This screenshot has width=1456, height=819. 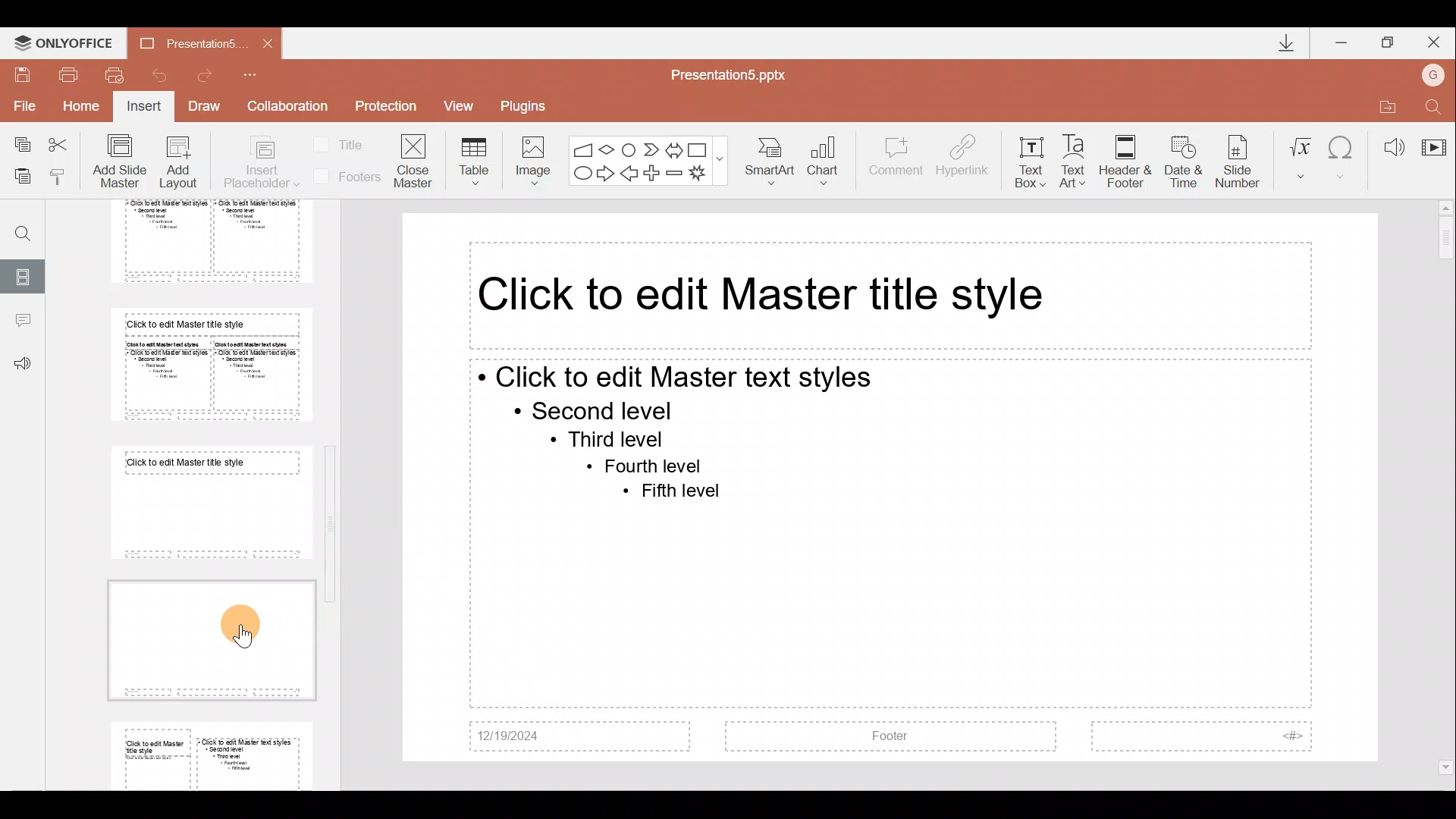 What do you see at coordinates (17, 144) in the screenshot?
I see `Copy` at bounding box center [17, 144].